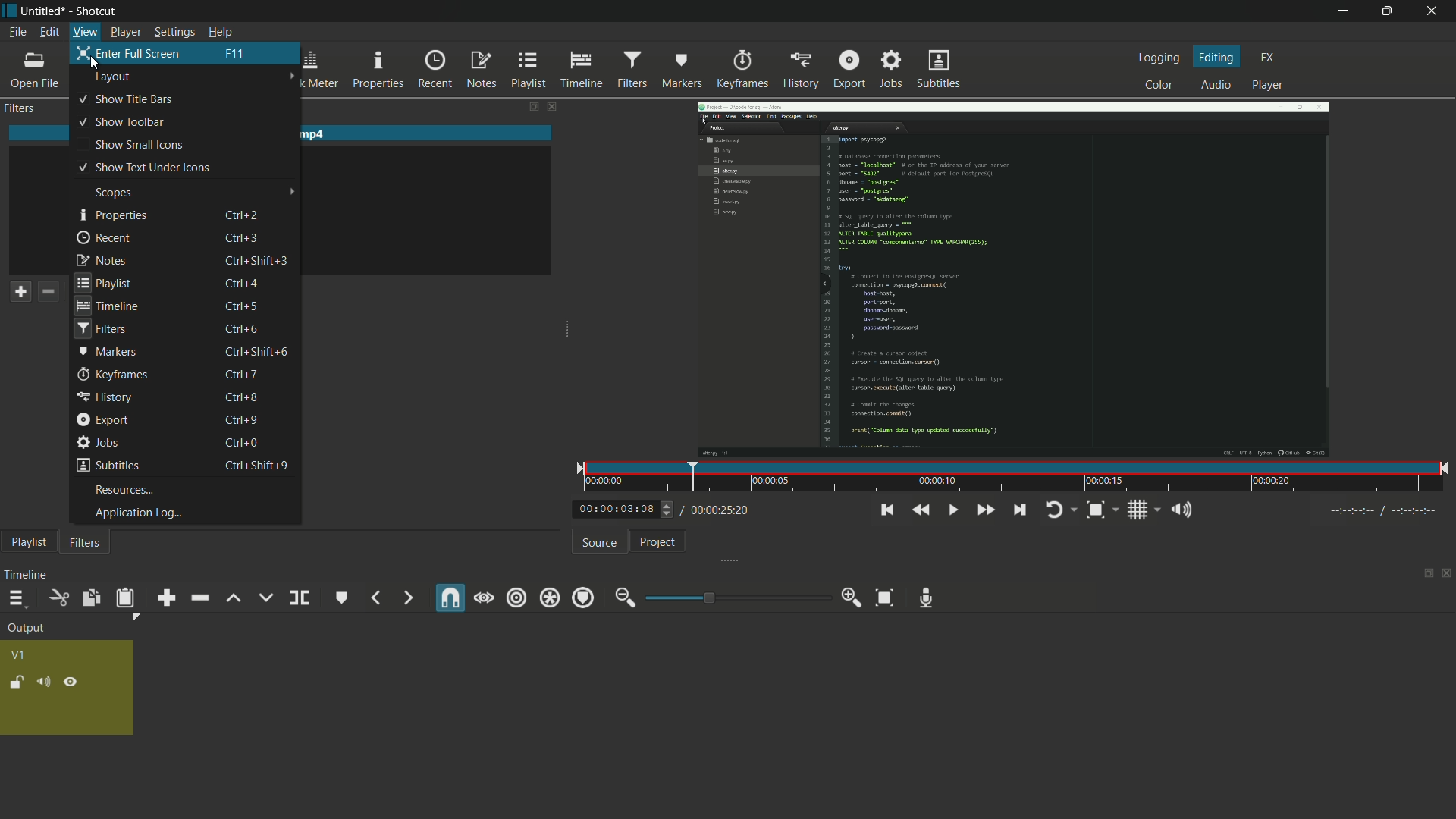 The width and height of the screenshot is (1456, 819). Describe the element at coordinates (922, 510) in the screenshot. I see `quickly play backward` at that location.